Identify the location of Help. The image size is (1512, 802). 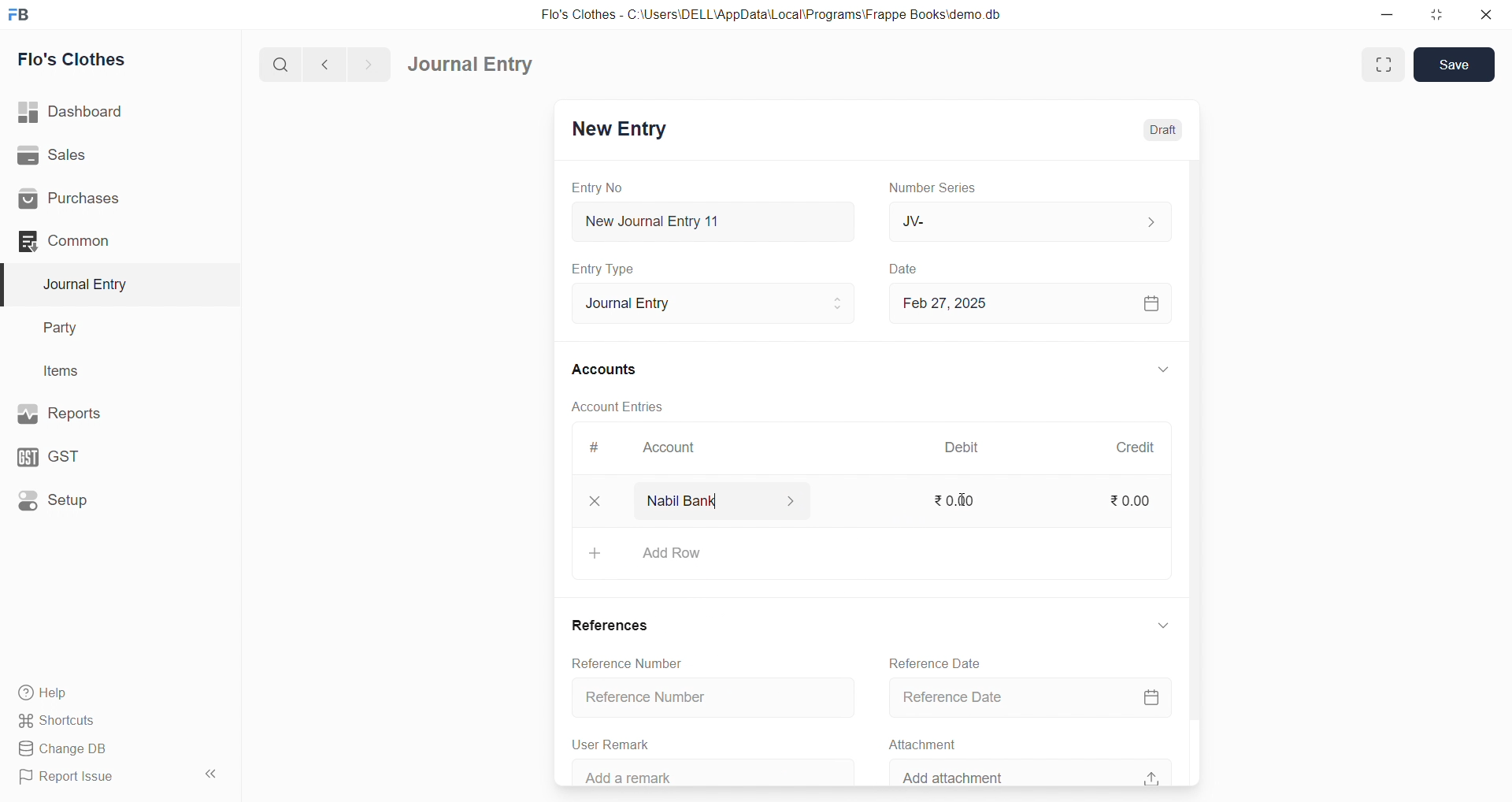
(98, 694).